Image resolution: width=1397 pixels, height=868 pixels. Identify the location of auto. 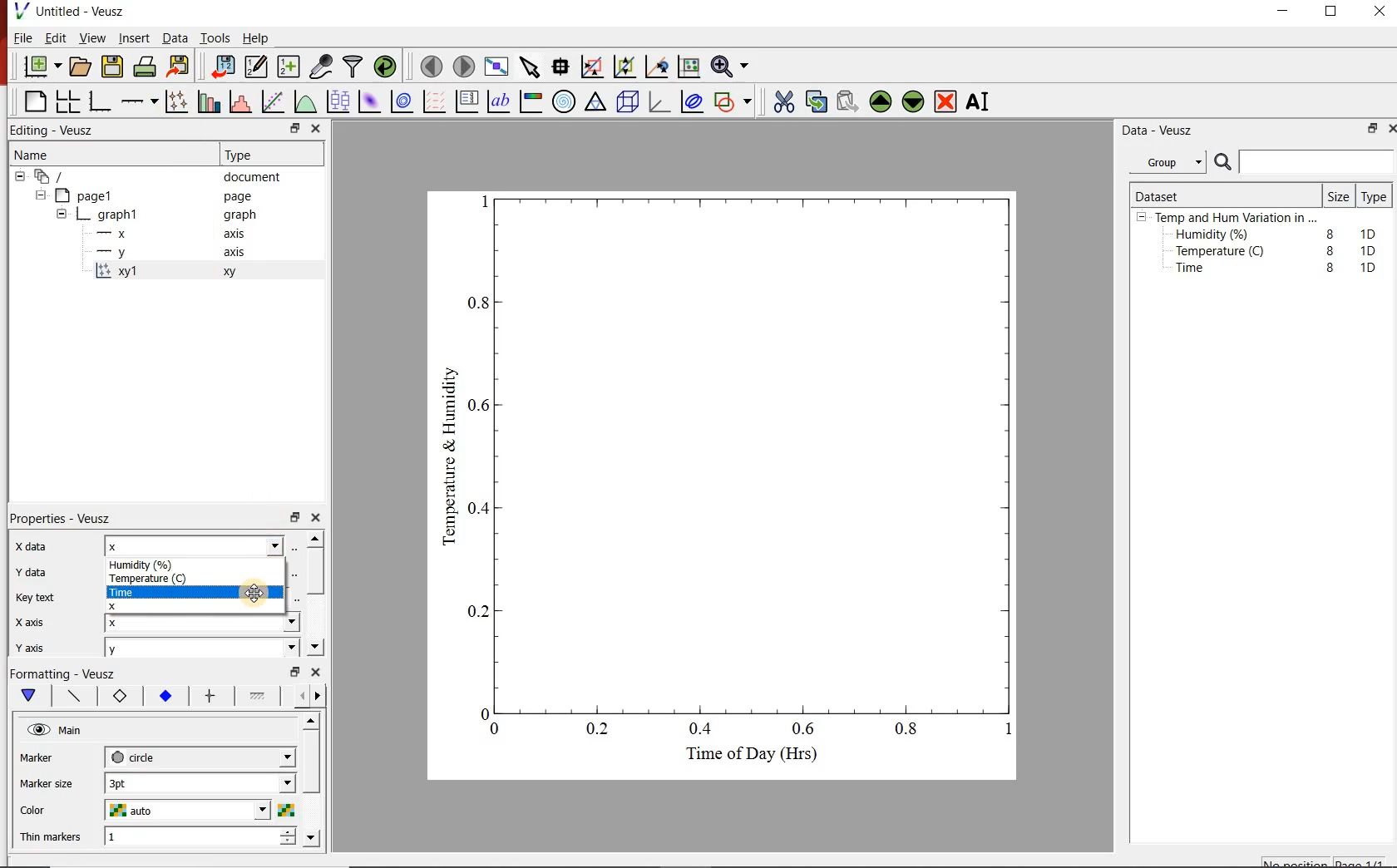
(134, 811).